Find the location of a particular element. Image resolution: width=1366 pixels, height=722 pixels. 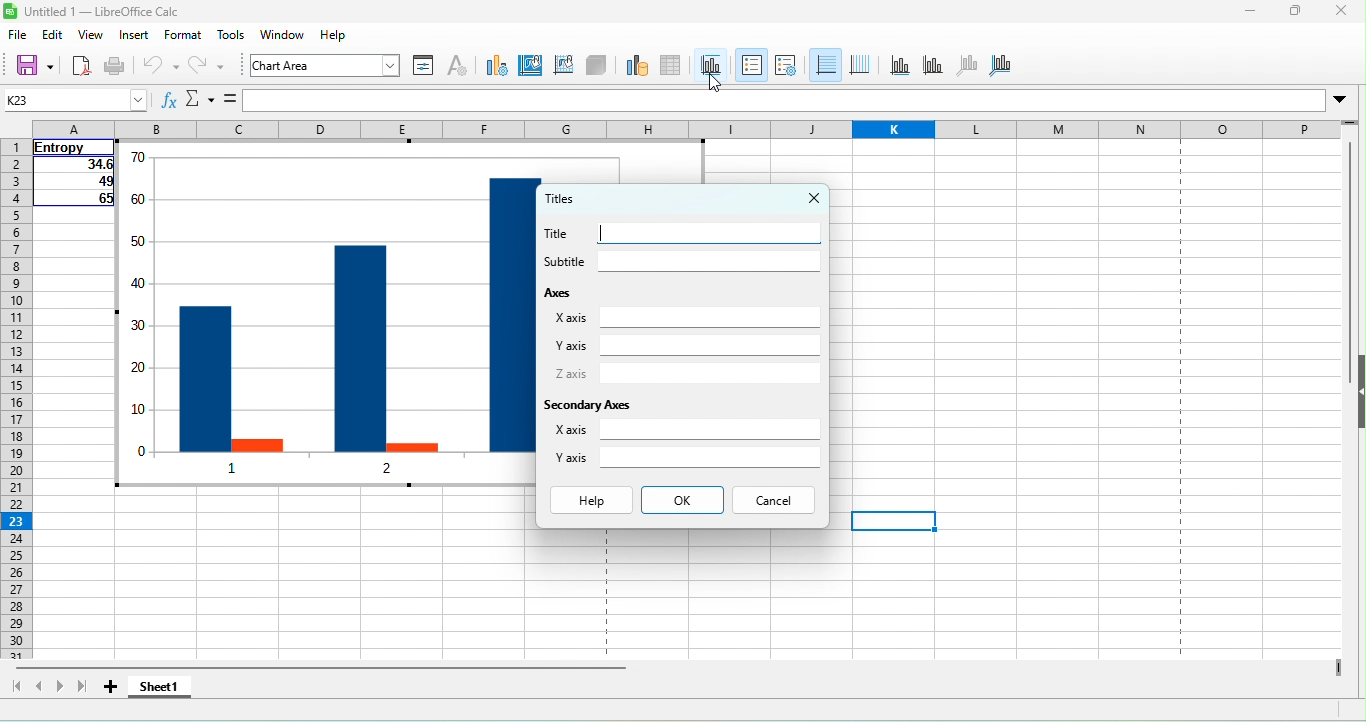

scroll to last sheet is located at coordinates (82, 687).